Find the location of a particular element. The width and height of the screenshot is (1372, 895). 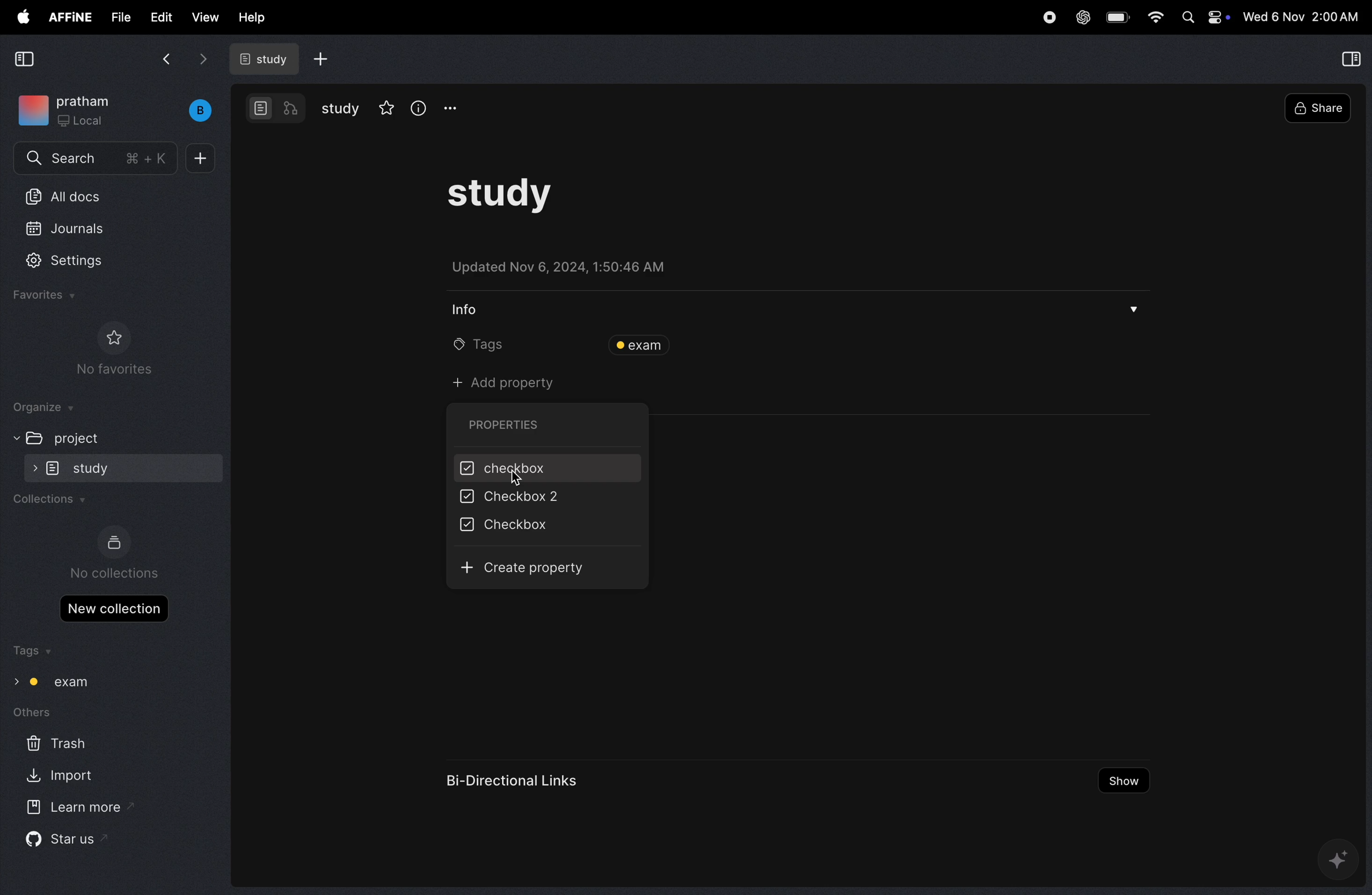

help is located at coordinates (250, 18).